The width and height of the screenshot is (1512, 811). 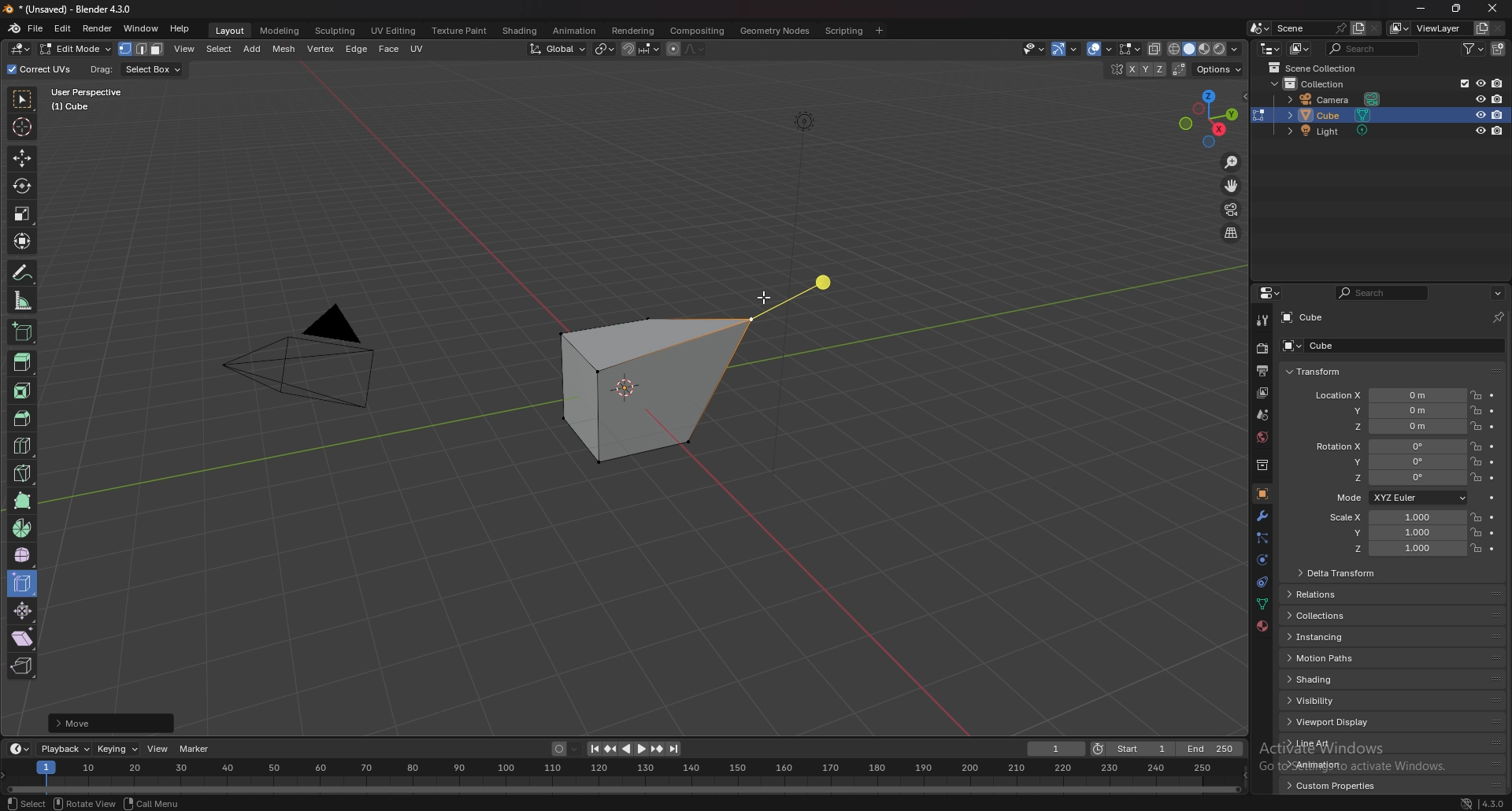 I want to click on smooth, so click(x=24, y=554).